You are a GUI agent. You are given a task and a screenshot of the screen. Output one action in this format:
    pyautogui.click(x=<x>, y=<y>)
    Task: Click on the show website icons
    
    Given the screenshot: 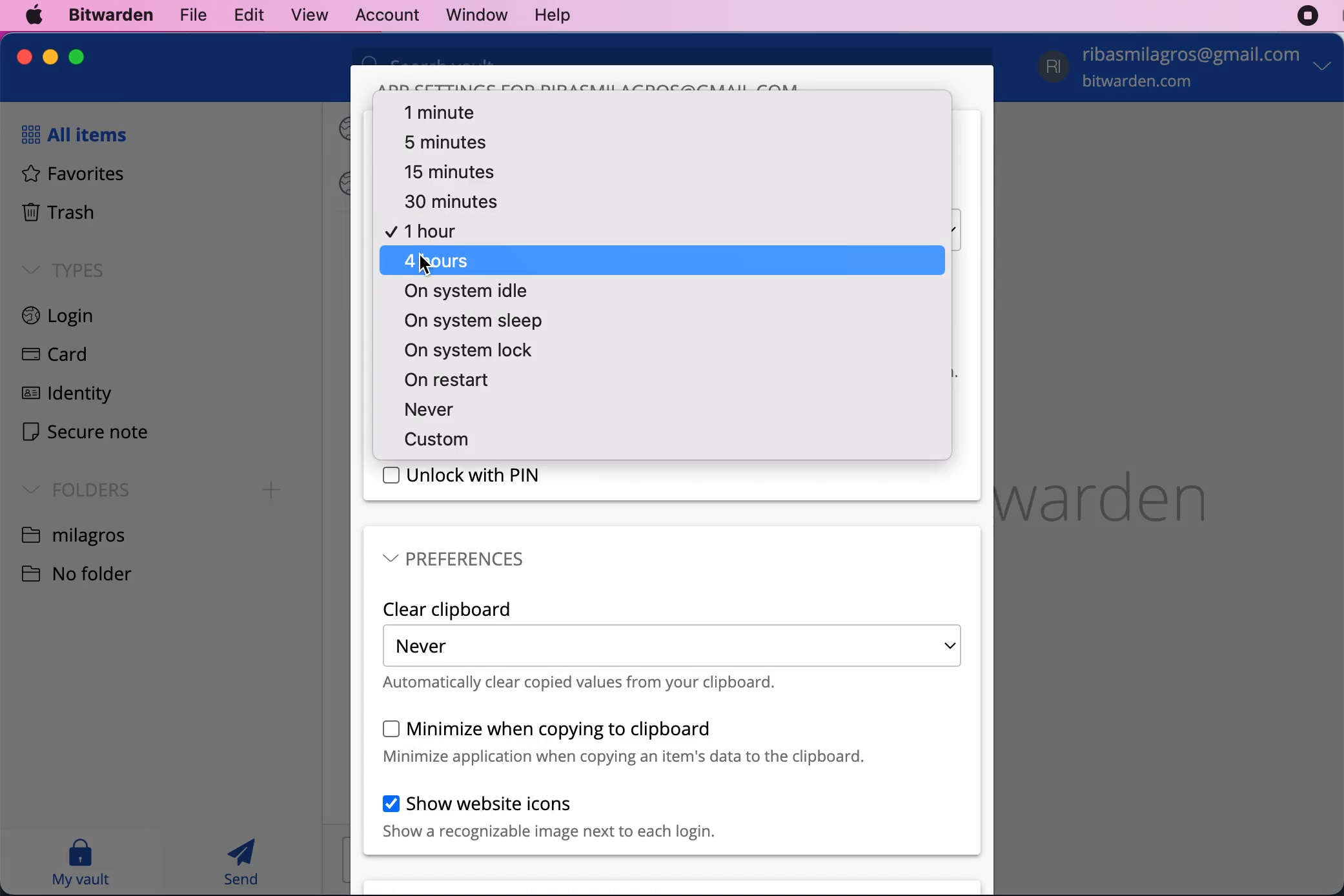 What is the action you would take?
    pyautogui.click(x=549, y=817)
    